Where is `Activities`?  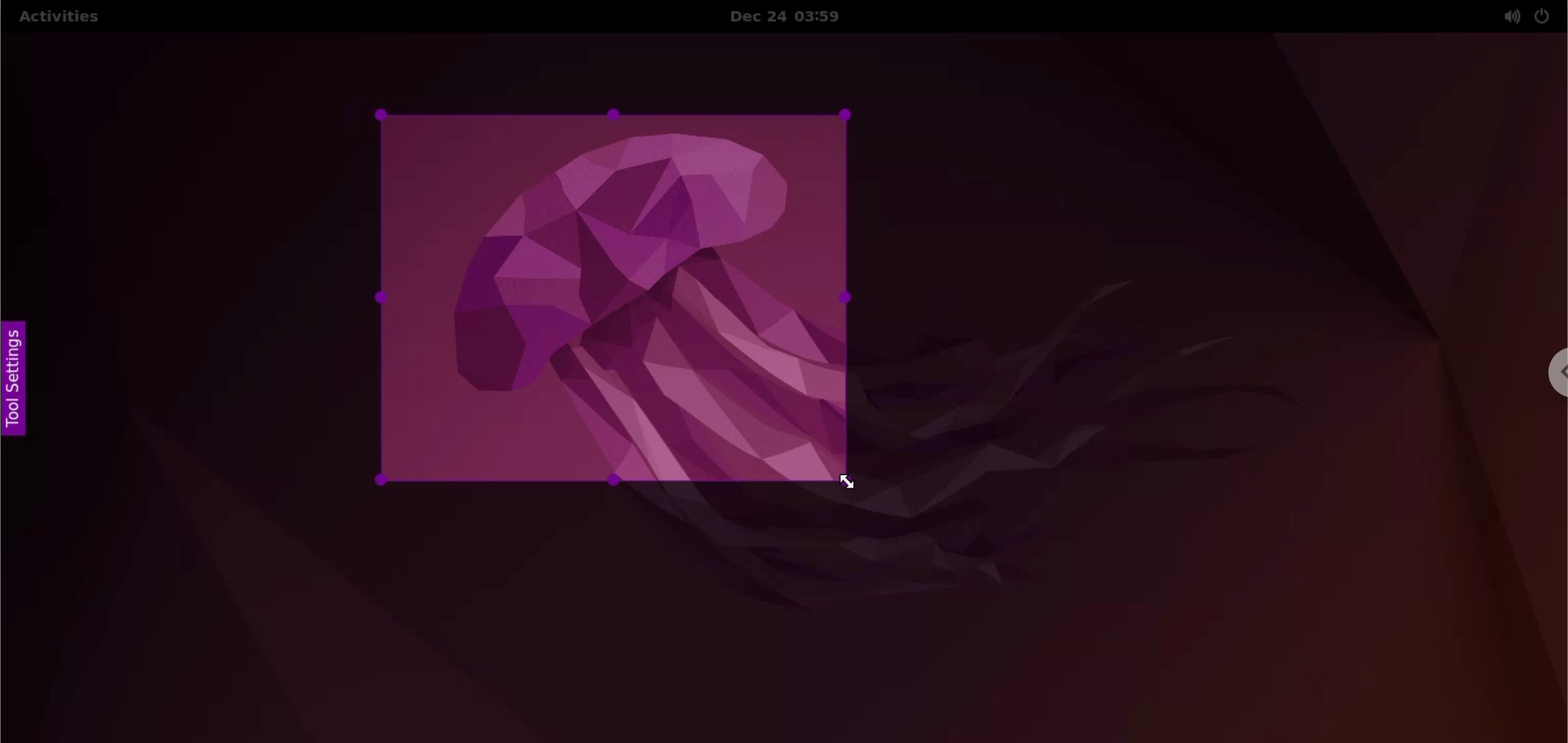
Activities is located at coordinates (57, 17).